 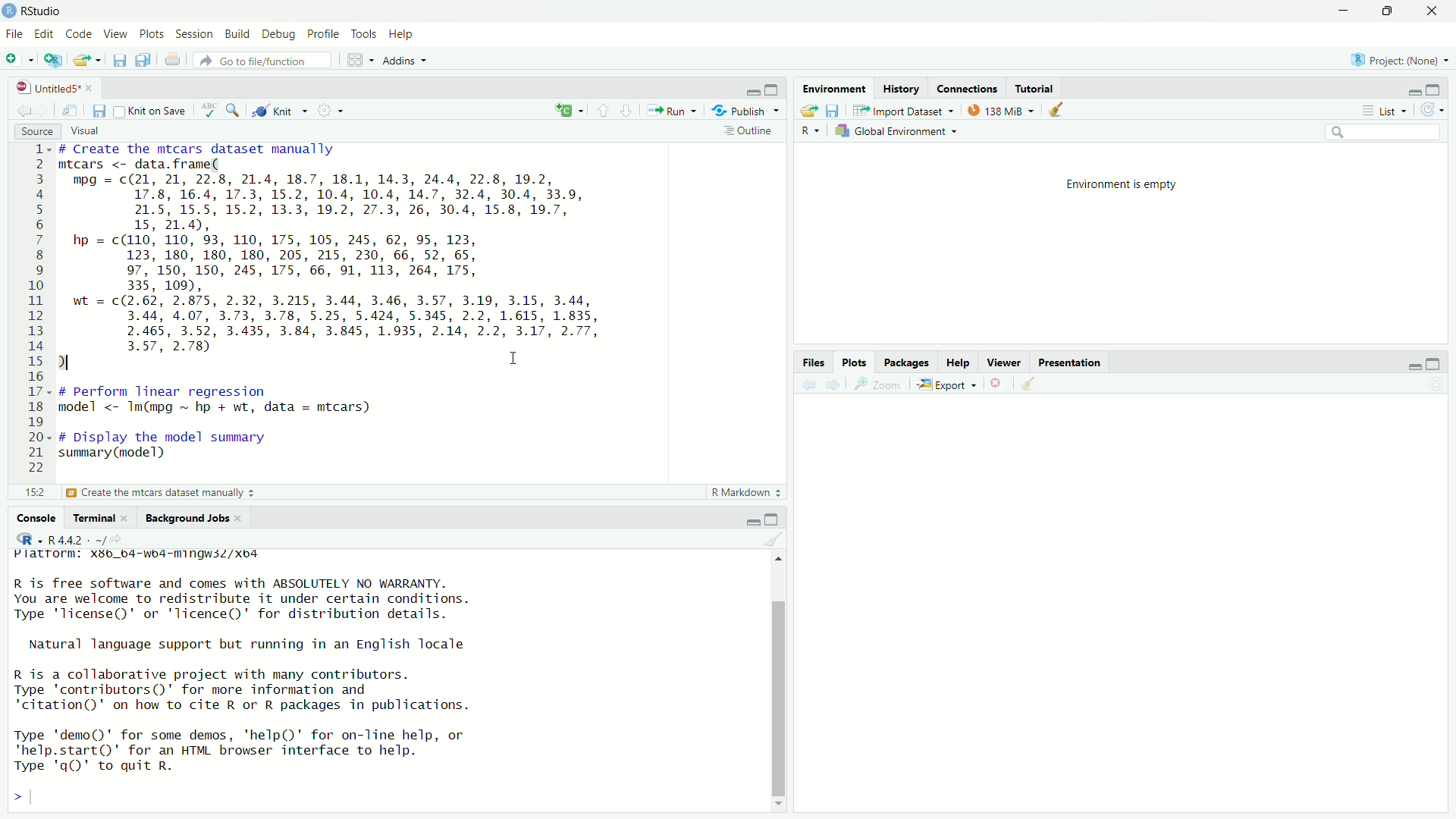 I want to click on scroll bar, so click(x=780, y=699).